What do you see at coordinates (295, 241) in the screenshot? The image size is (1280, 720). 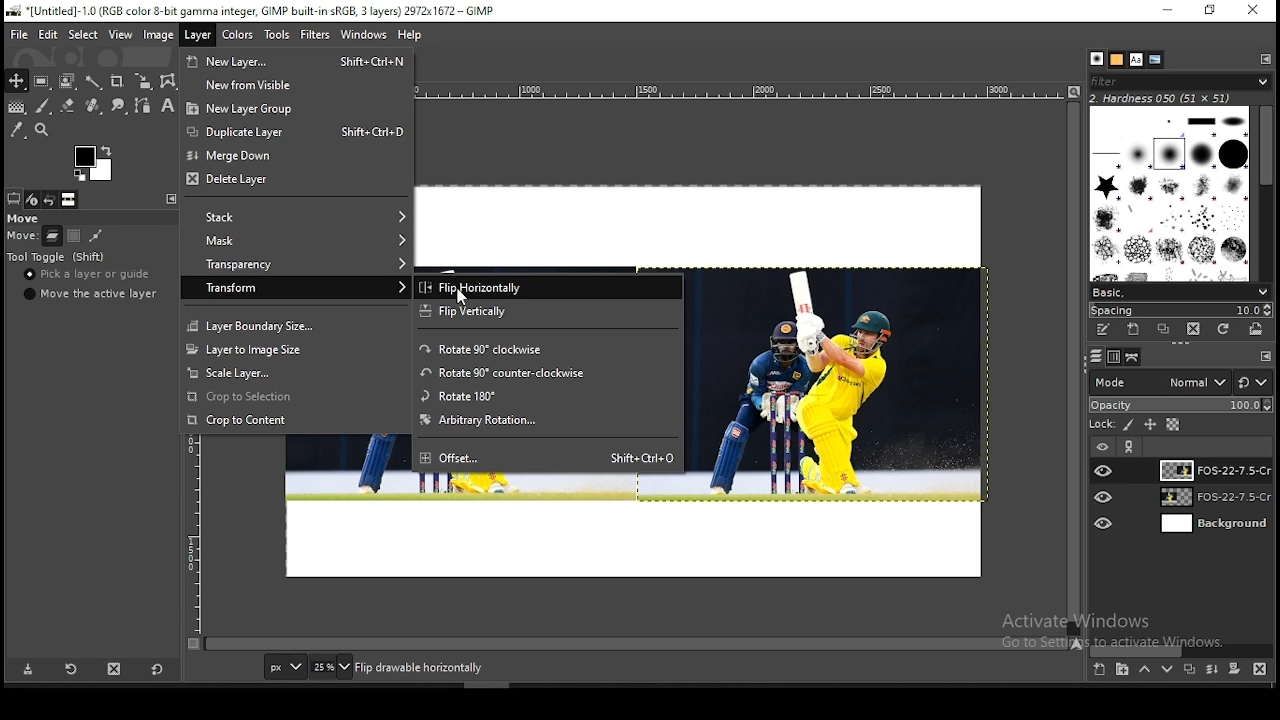 I see `mask` at bounding box center [295, 241].